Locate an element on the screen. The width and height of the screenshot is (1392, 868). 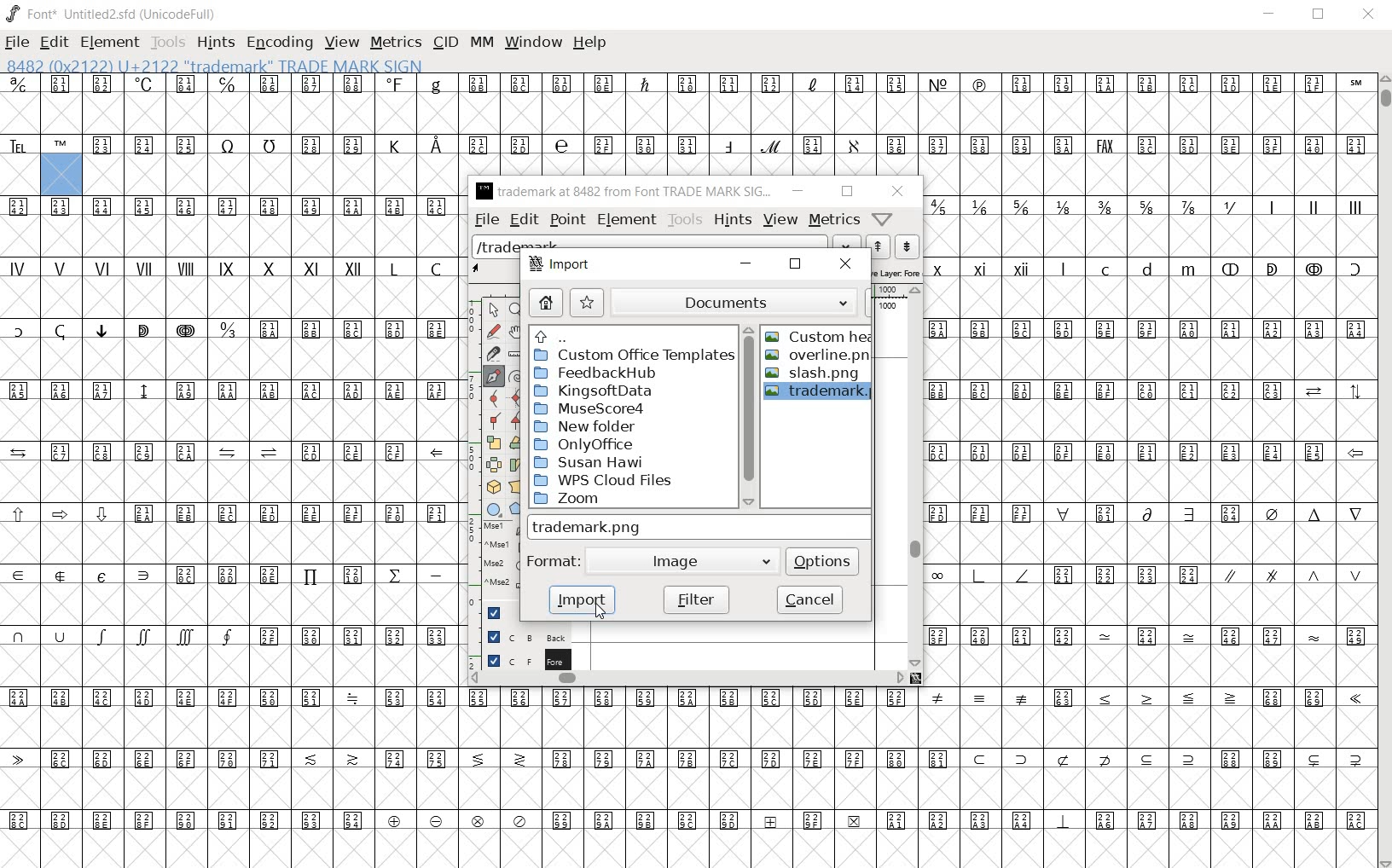
RESTORE is located at coordinates (1318, 16).